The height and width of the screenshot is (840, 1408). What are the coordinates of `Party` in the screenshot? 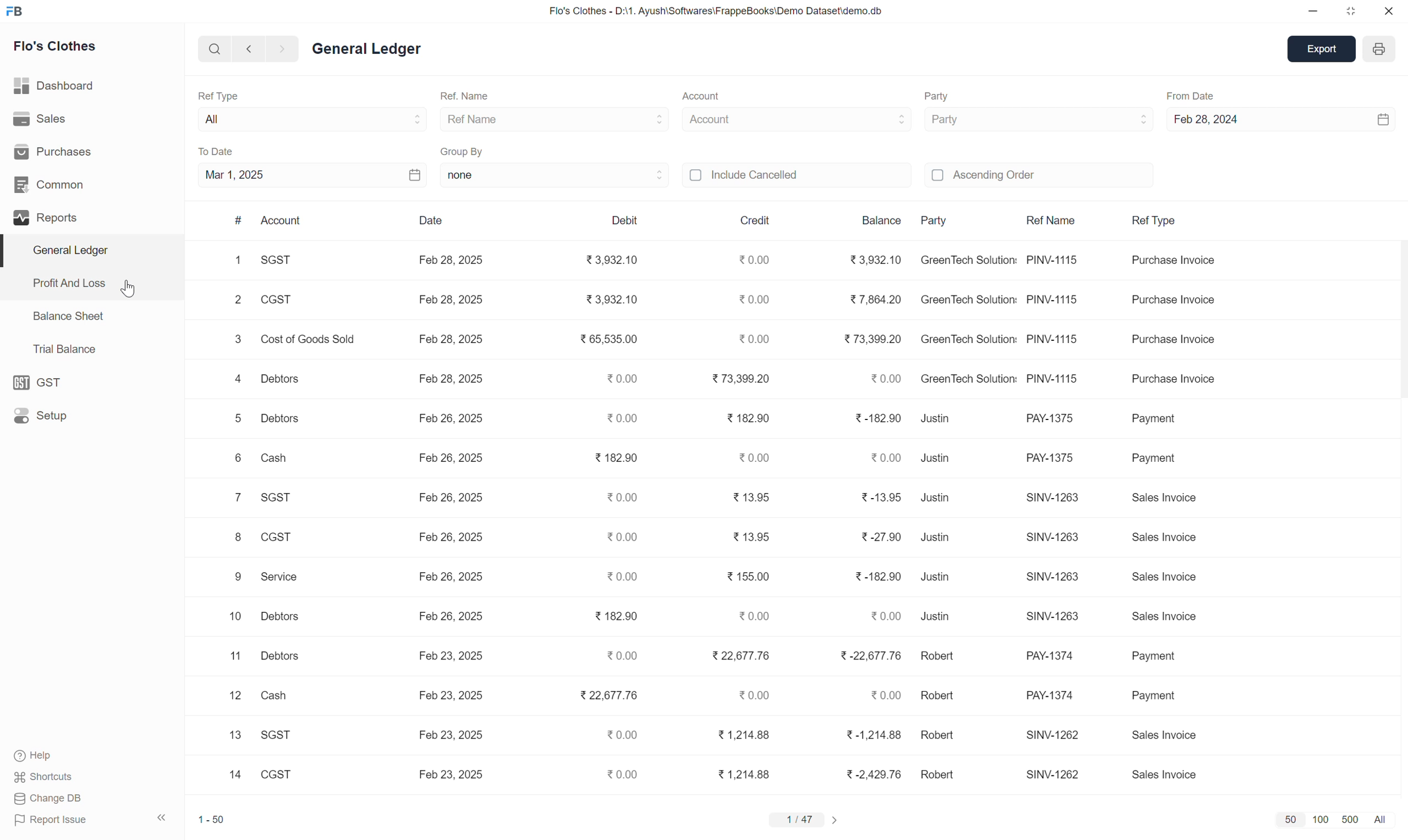 It's located at (959, 121).